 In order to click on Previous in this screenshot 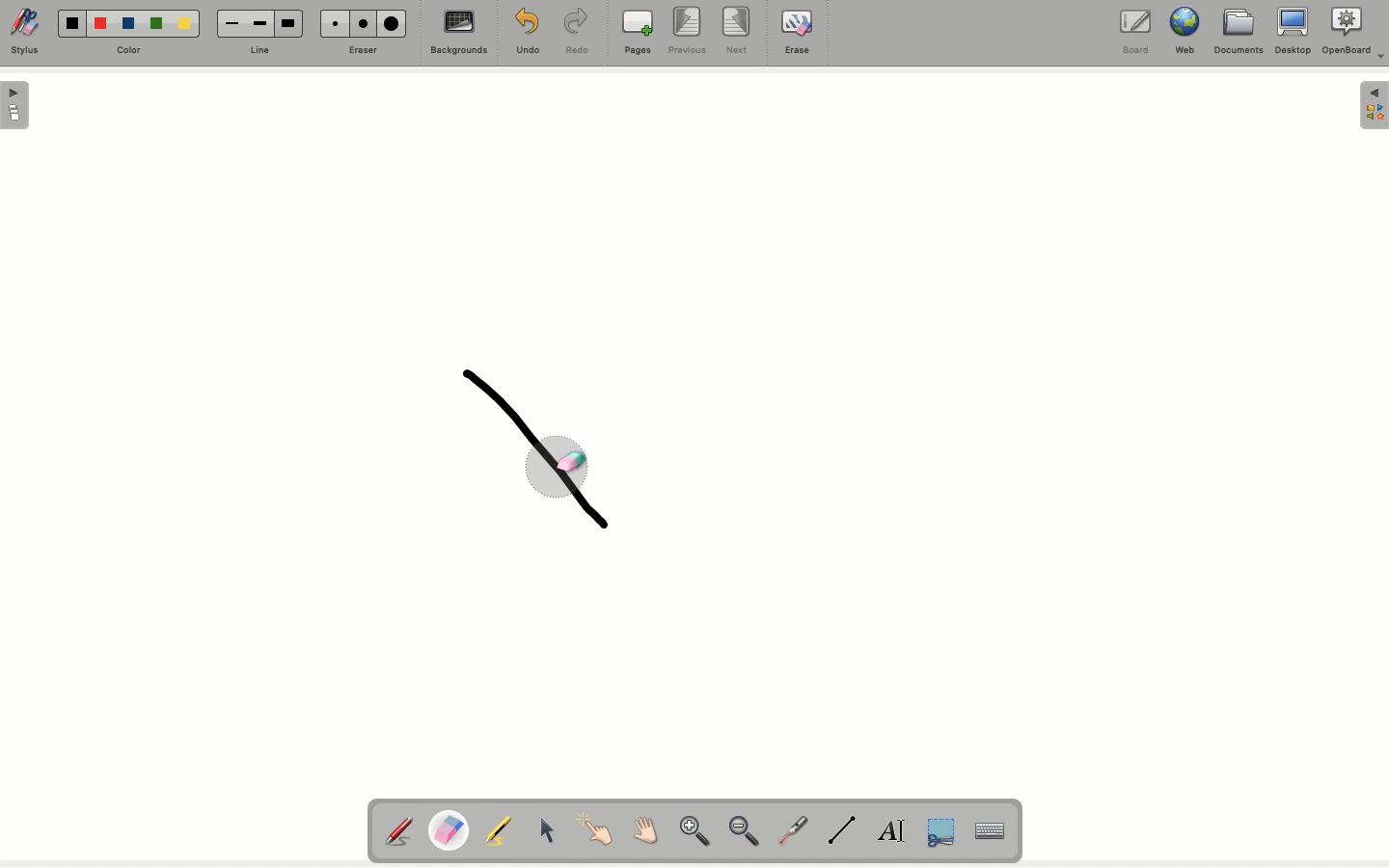, I will do `click(690, 33)`.